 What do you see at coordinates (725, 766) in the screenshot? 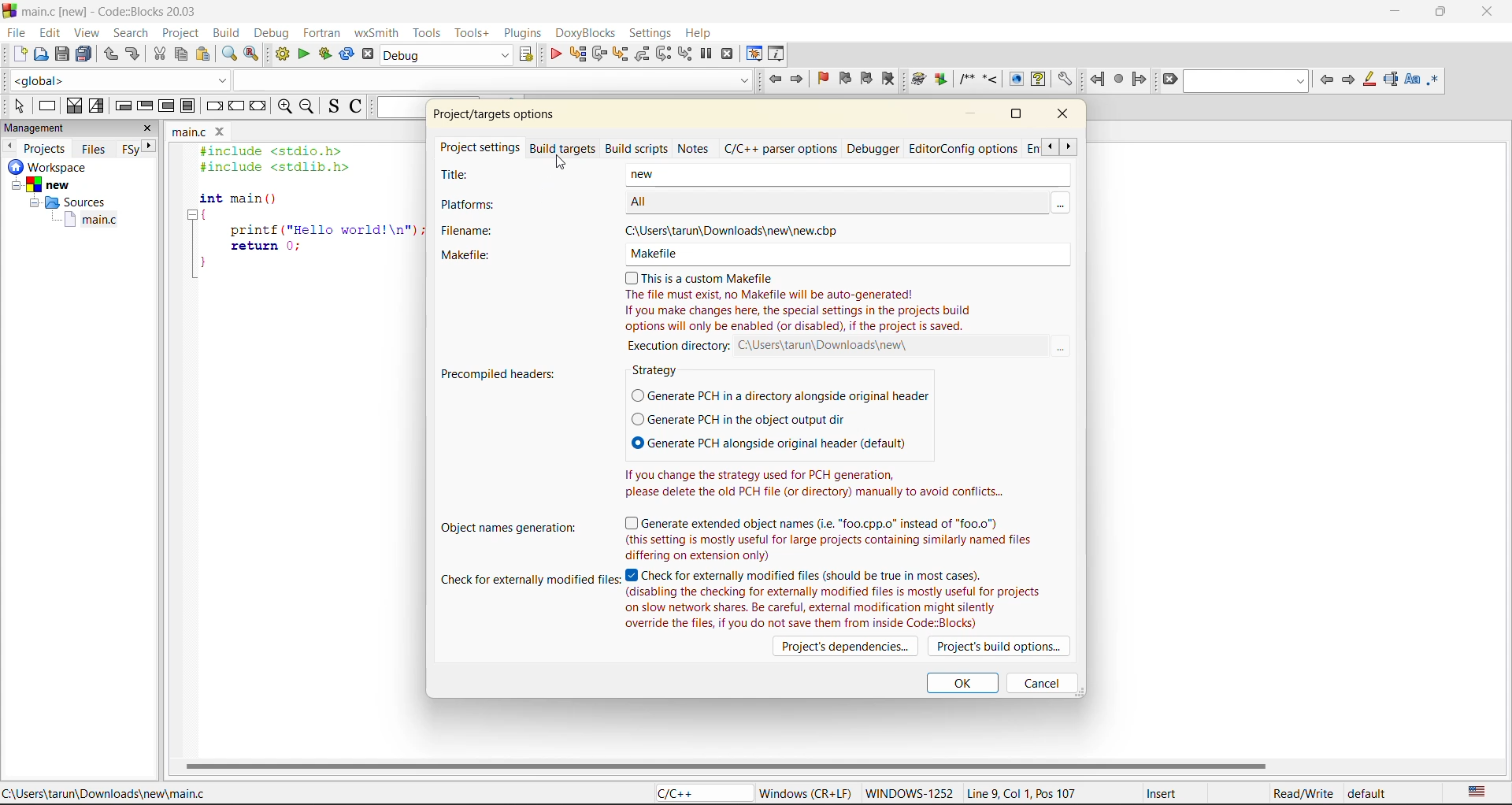
I see `horizontal scroll bar` at bounding box center [725, 766].